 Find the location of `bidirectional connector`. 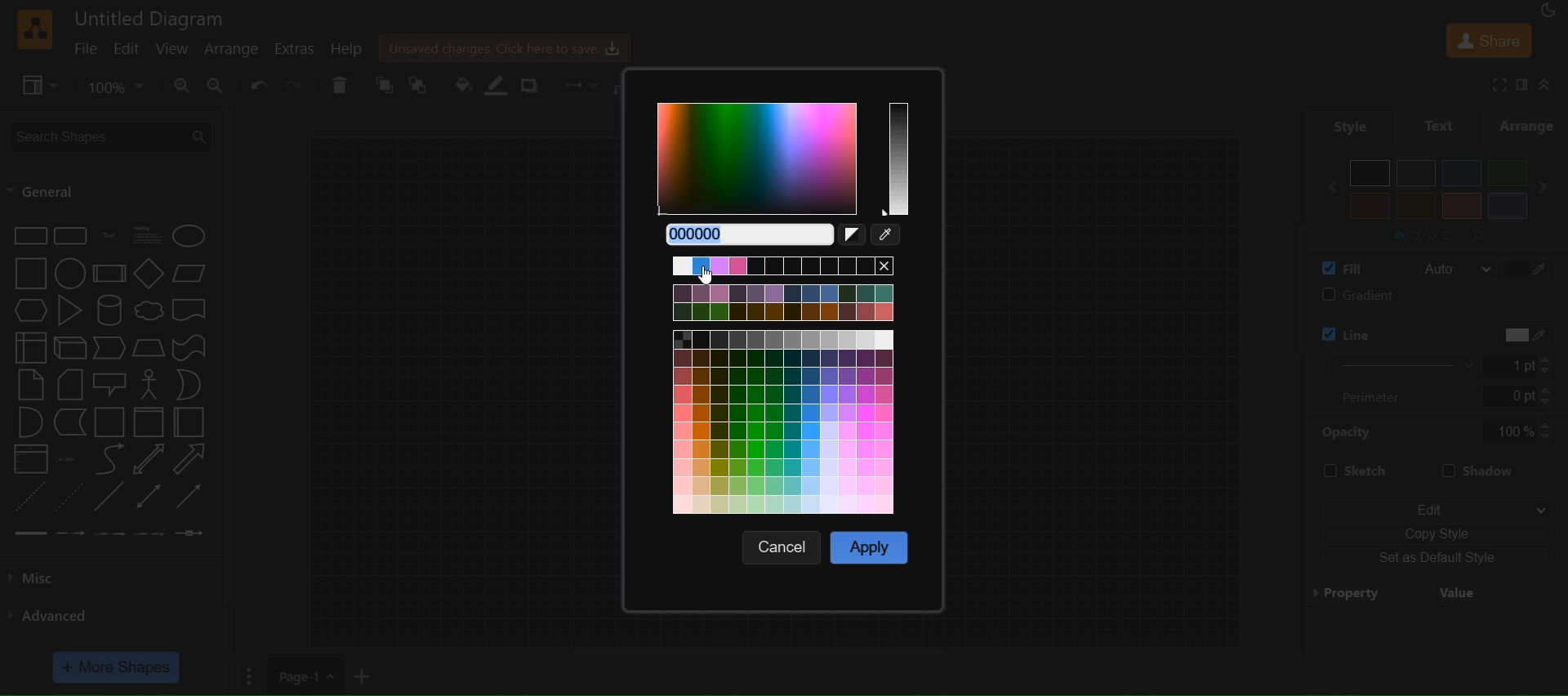

bidirectional connector is located at coordinates (151, 496).